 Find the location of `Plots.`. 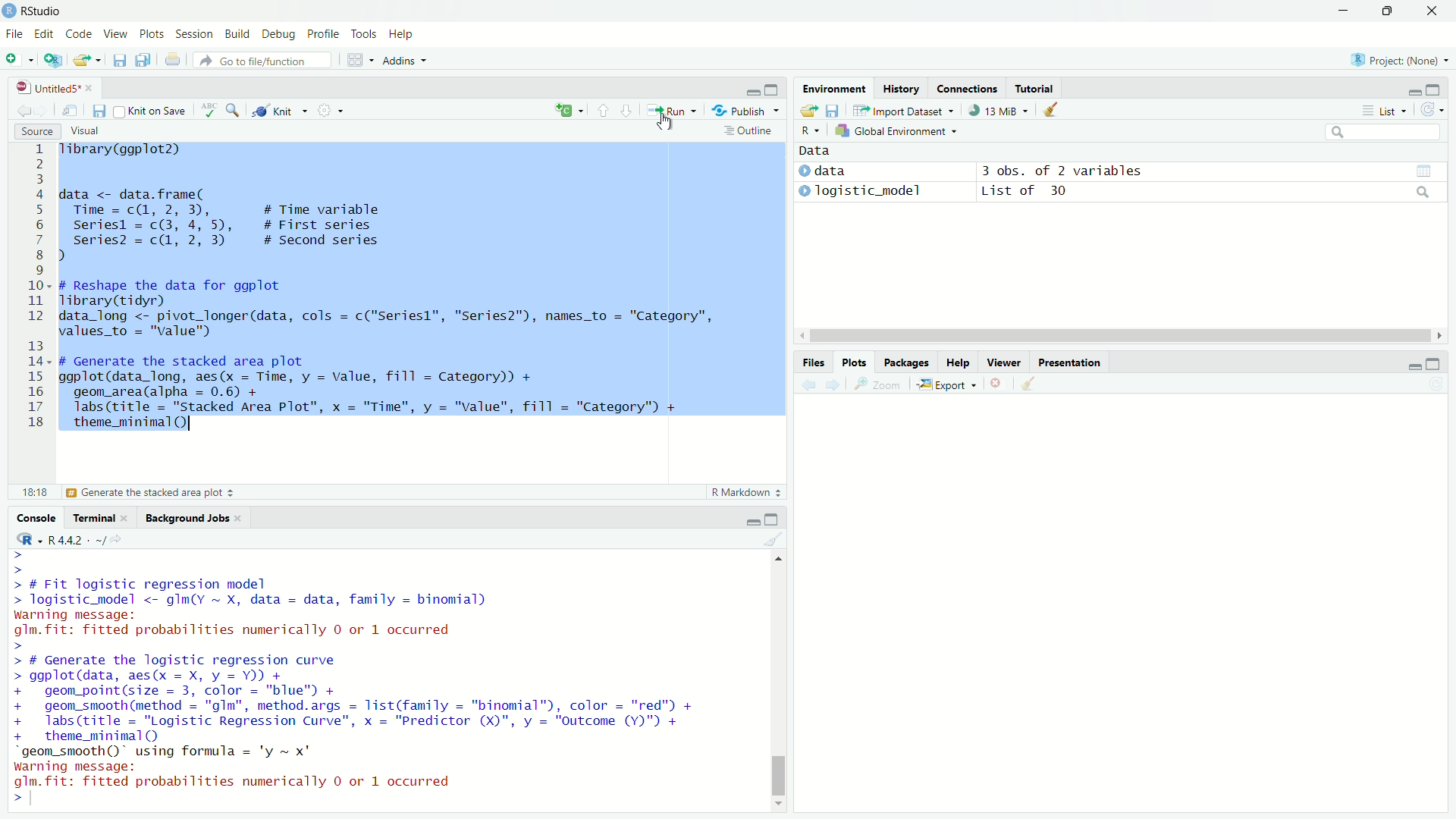

Plots. is located at coordinates (854, 362).